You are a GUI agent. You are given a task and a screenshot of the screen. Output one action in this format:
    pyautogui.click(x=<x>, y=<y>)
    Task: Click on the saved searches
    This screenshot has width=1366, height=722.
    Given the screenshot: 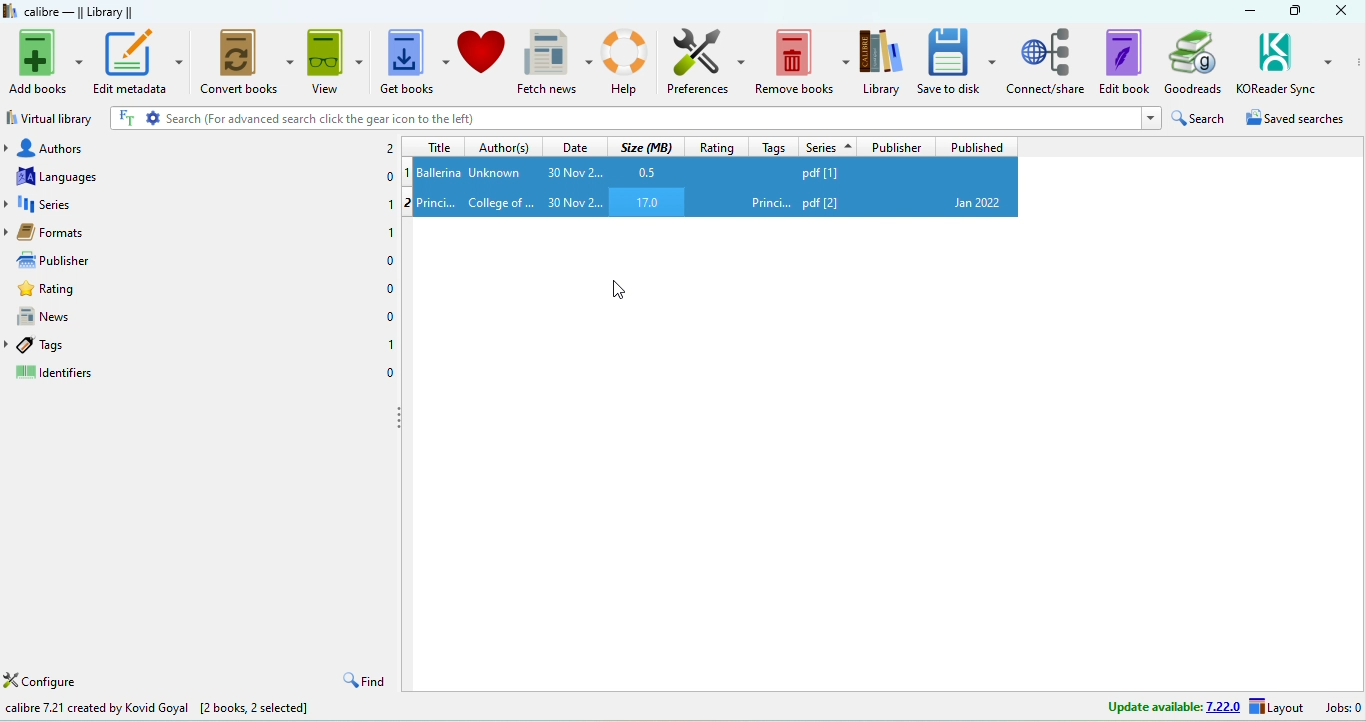 What is the action you would take?
    pyautogui.click(x=1303, y=118)
    